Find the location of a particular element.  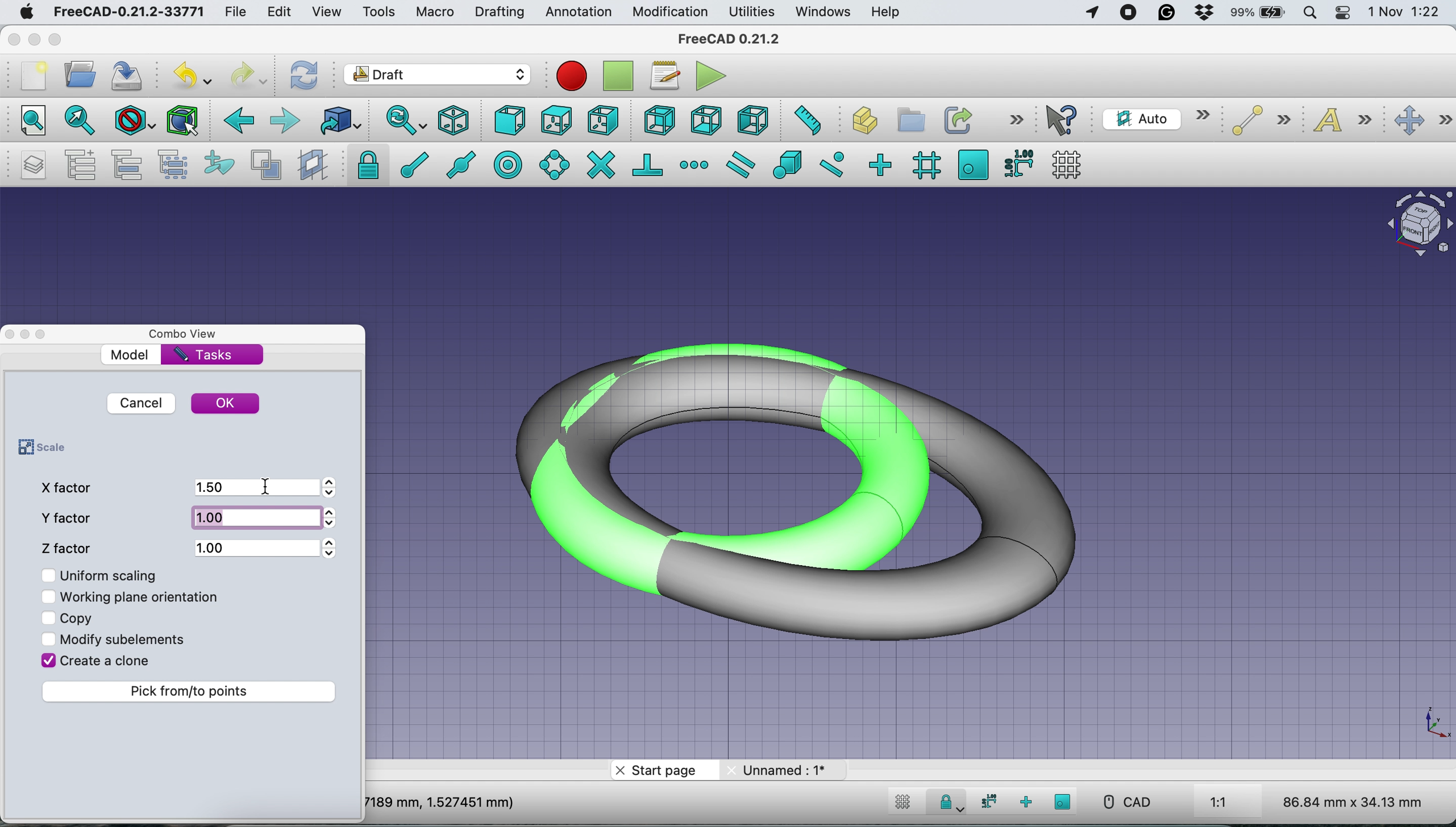

current working plane is located at coordinates (1155, 118).